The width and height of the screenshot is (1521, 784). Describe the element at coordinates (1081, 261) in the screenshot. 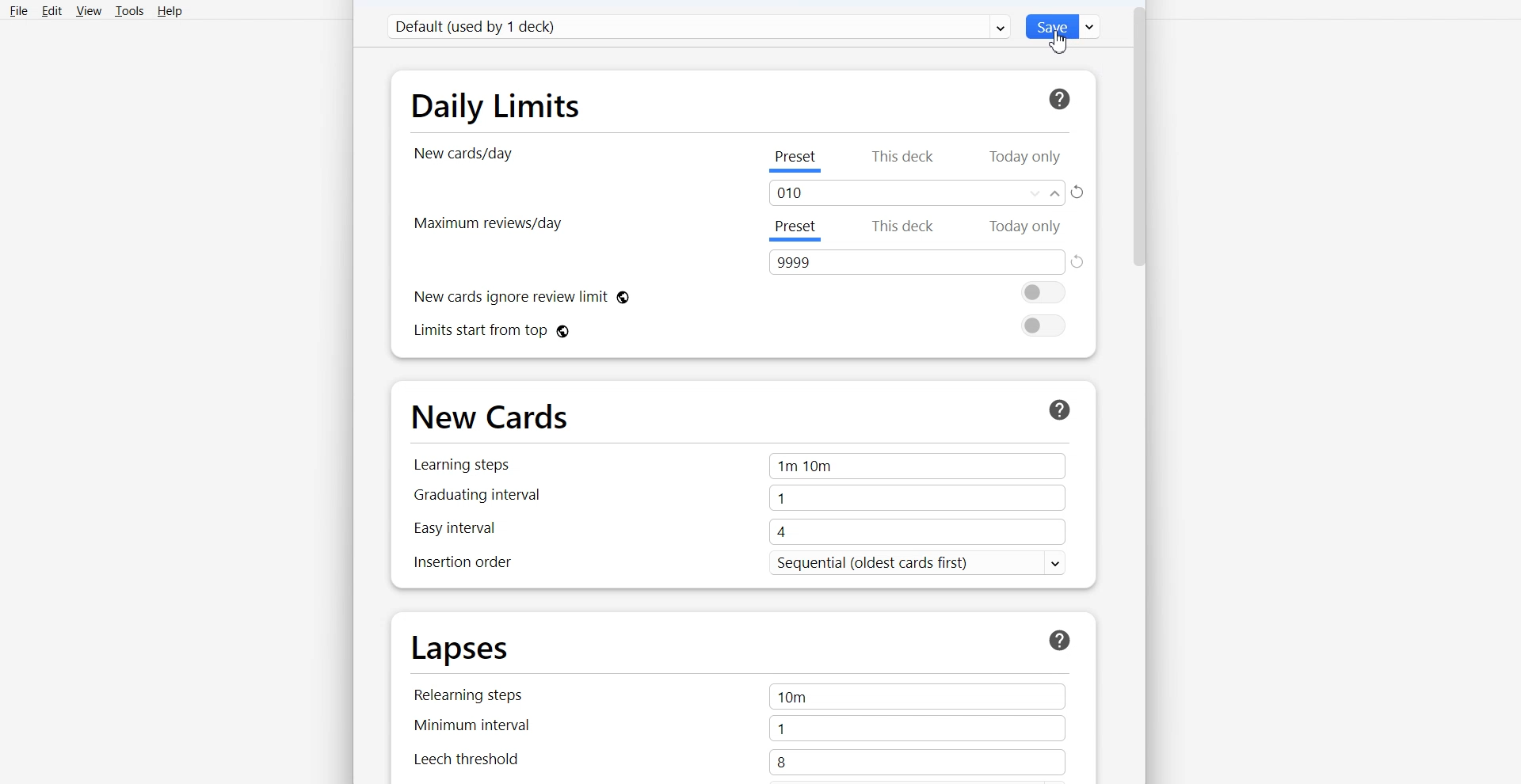

I see `Reset` at that location.